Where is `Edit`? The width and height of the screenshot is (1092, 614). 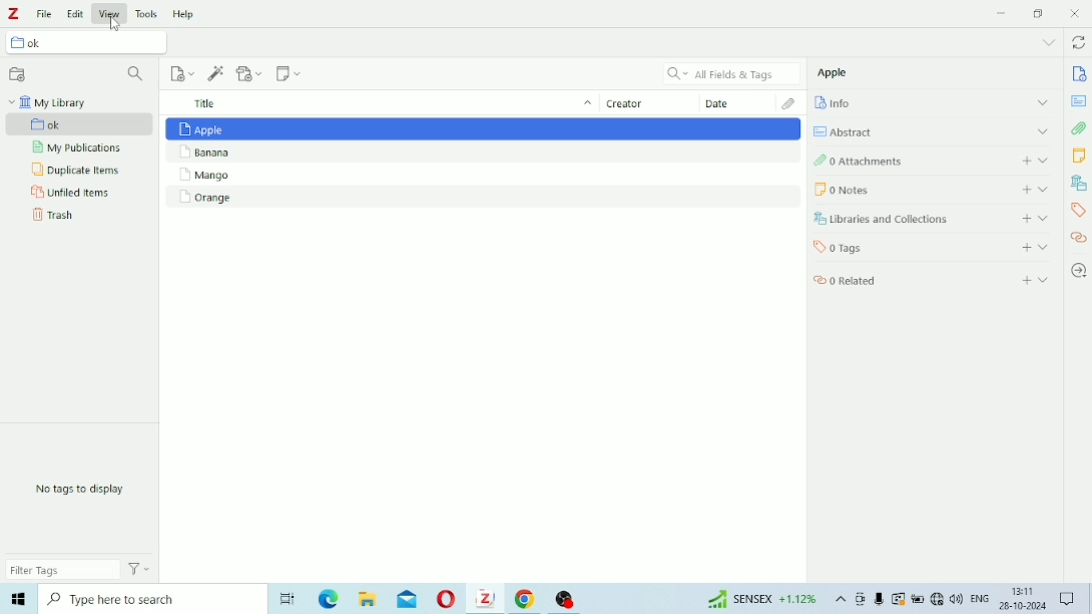
Edit is located at coordinates (77, 11).